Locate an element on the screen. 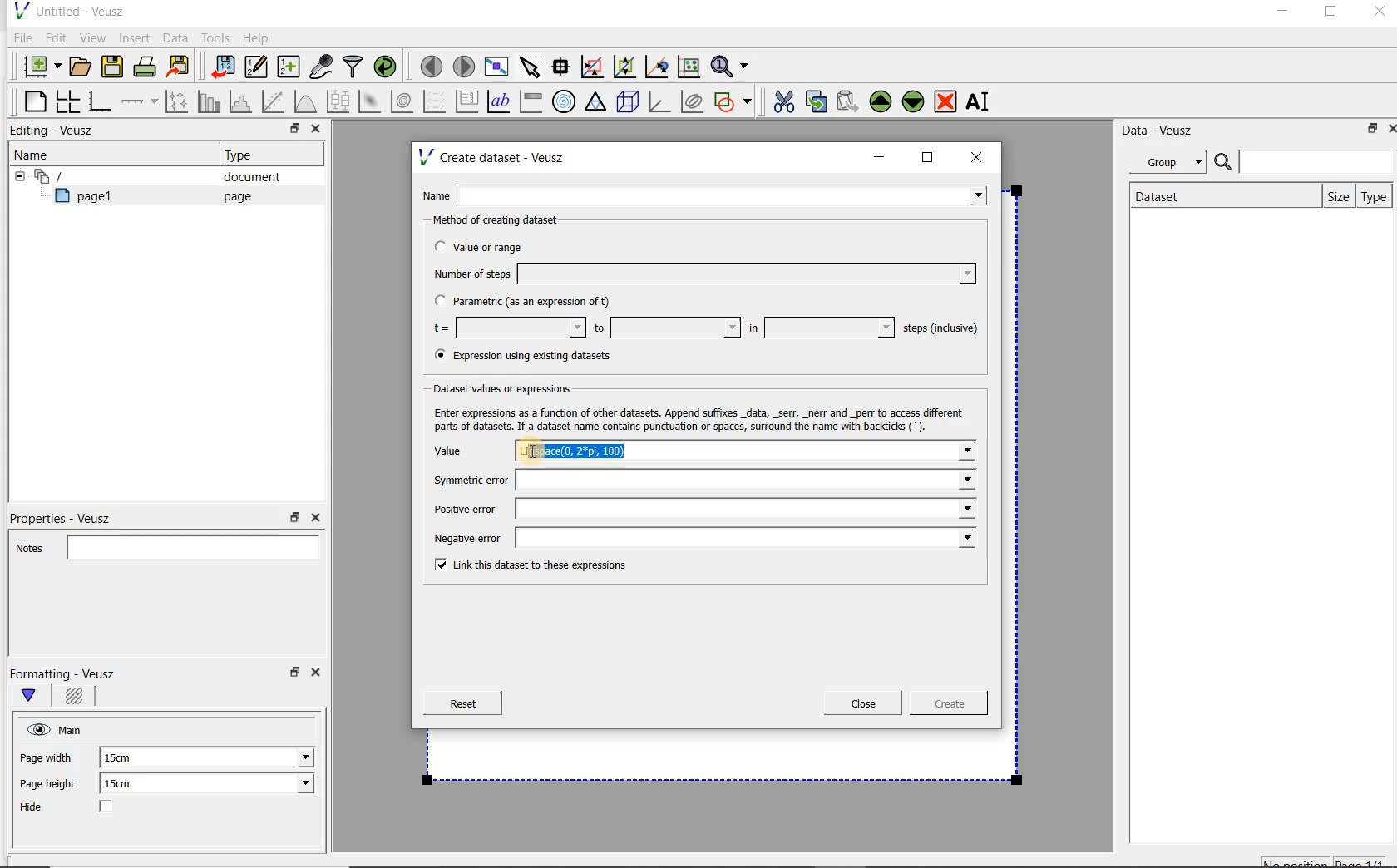 Image resolution: width=1397 pixels, height=868 pixels. to is located at coordinates (665, 328).